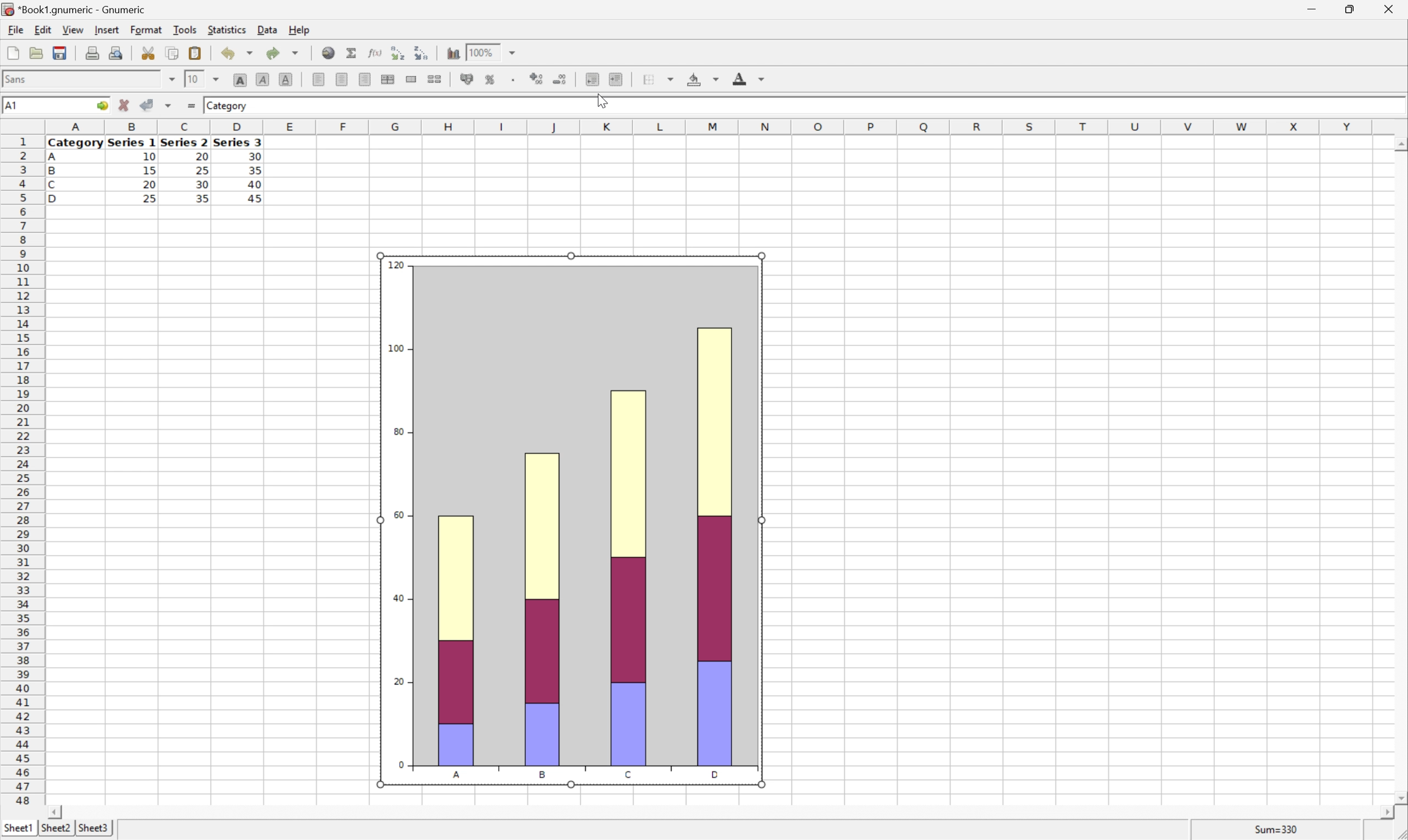  I want to click on Increase the number of decimals displayed, so click(538, 79).